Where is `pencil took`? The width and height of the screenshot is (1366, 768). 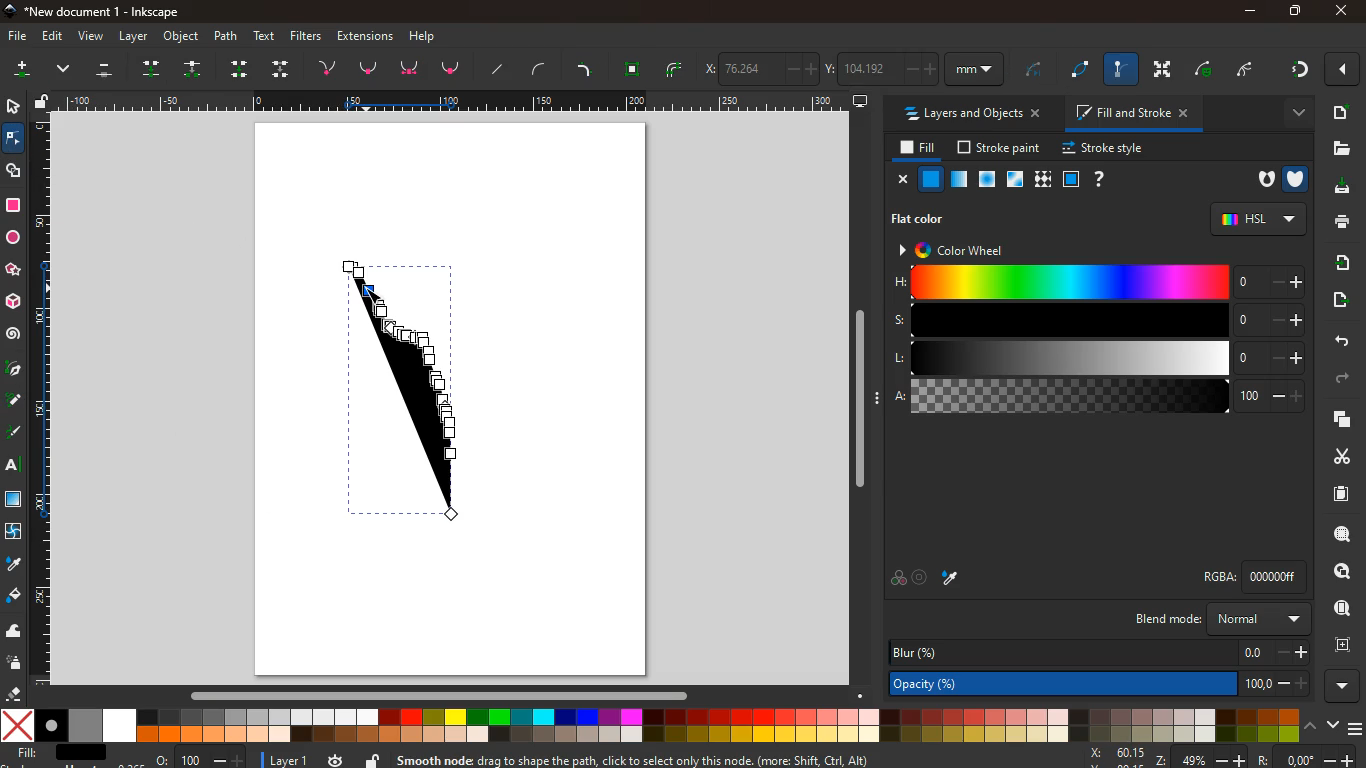 pencil took is located at coordinates (15, 400).